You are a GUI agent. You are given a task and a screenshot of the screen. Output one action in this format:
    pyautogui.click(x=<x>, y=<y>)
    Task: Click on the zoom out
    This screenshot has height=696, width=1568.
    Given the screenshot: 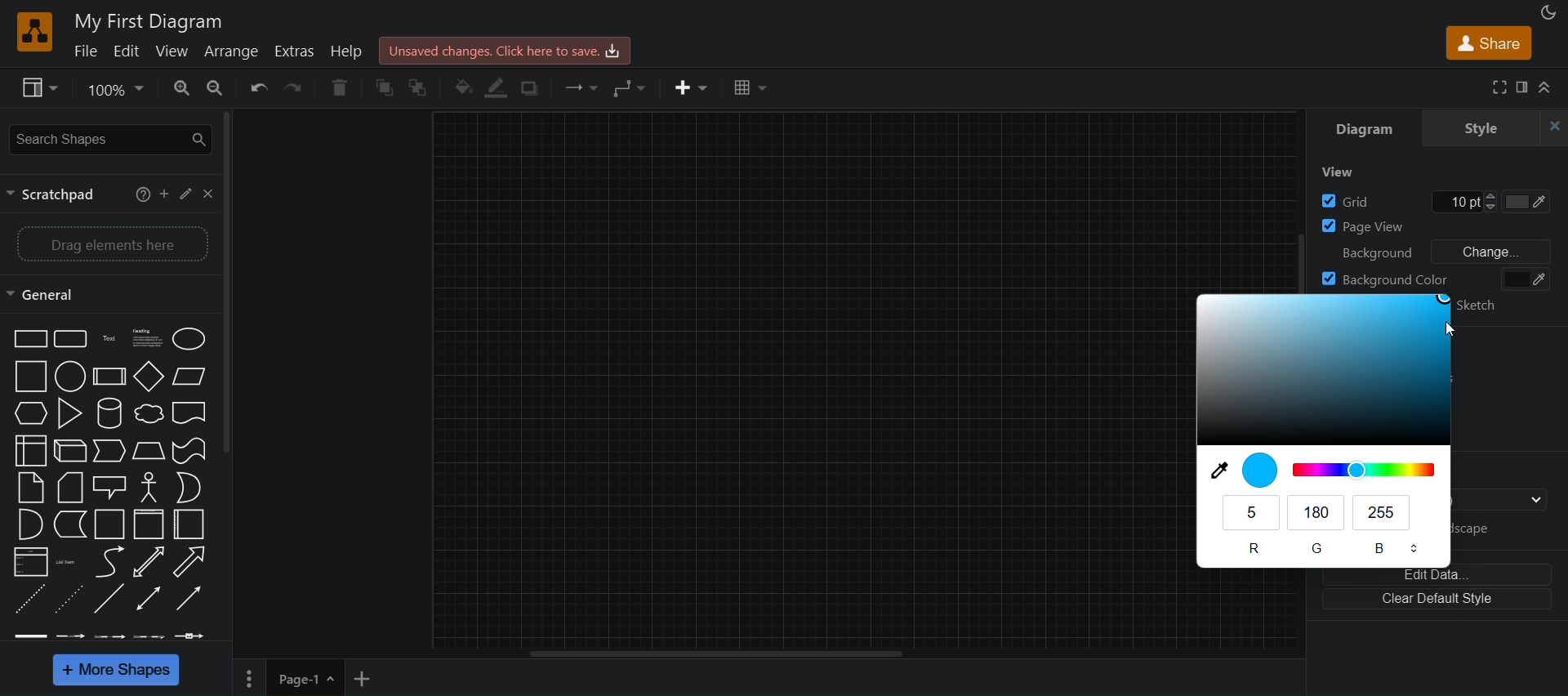 What is the action you would take?
    pyautogui.click(x=214, y=90)
    